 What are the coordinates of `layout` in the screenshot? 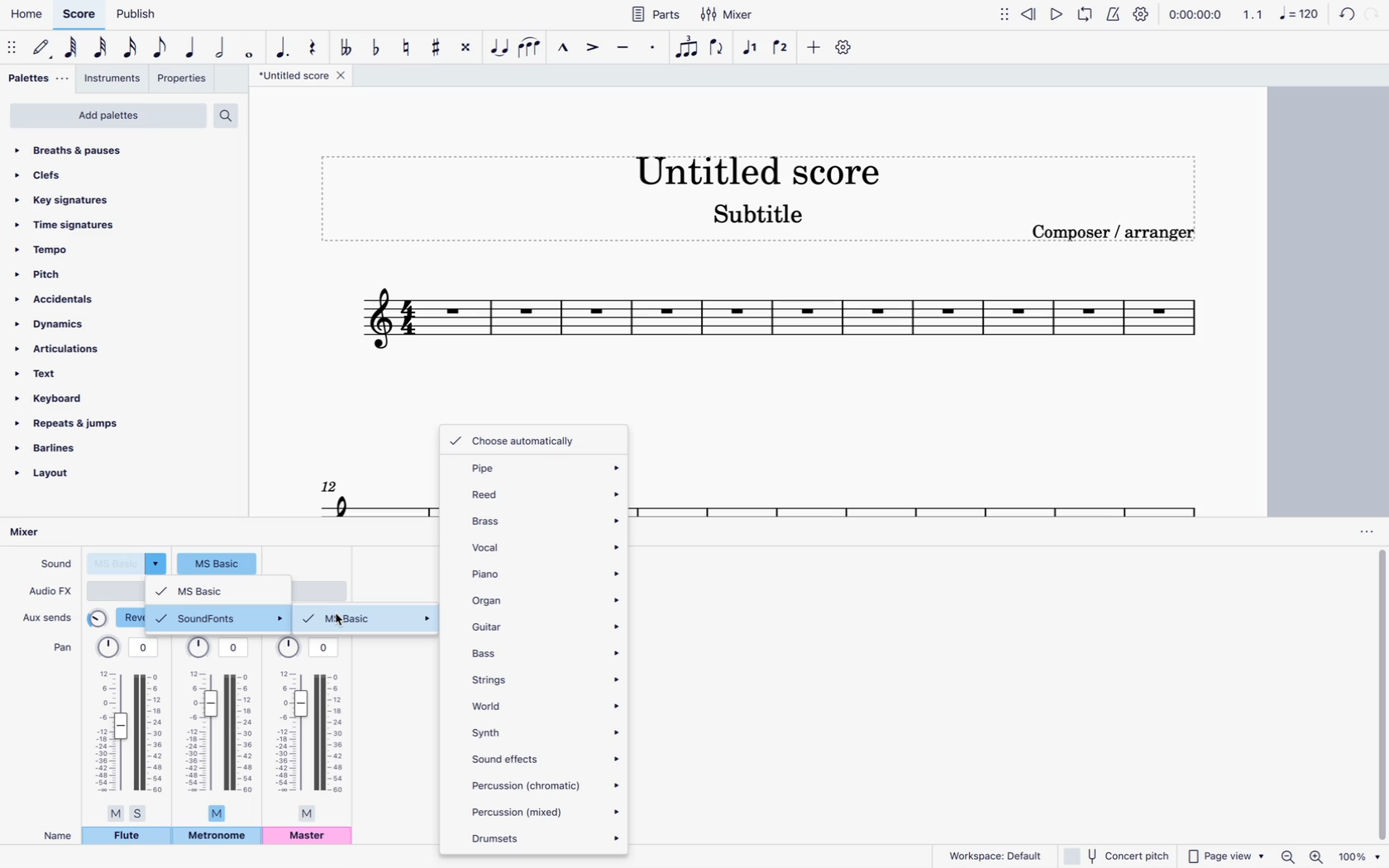 It's located at (63, 479).